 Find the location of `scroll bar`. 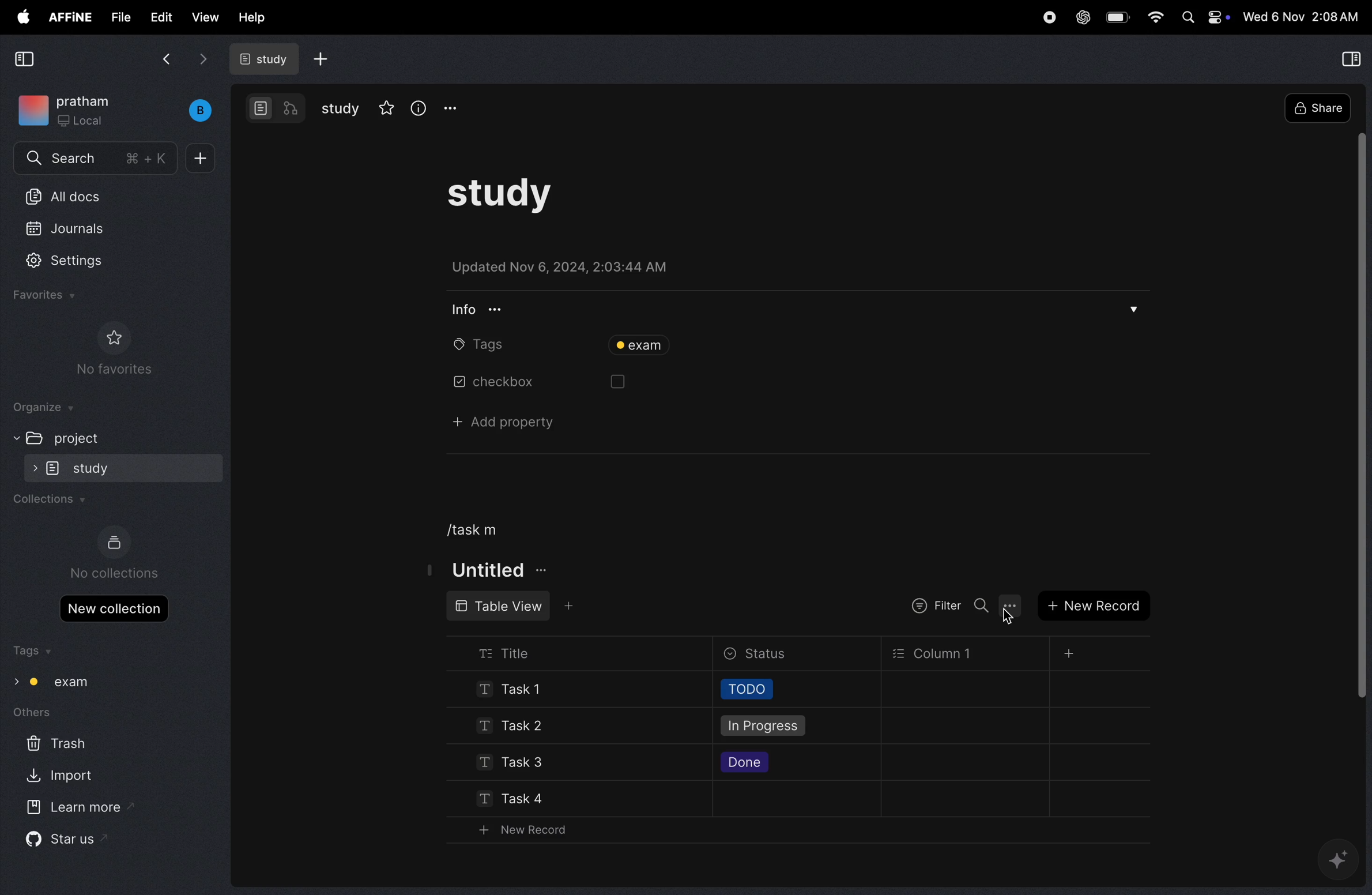

scroll bar is located at coordinates (1360, 414).